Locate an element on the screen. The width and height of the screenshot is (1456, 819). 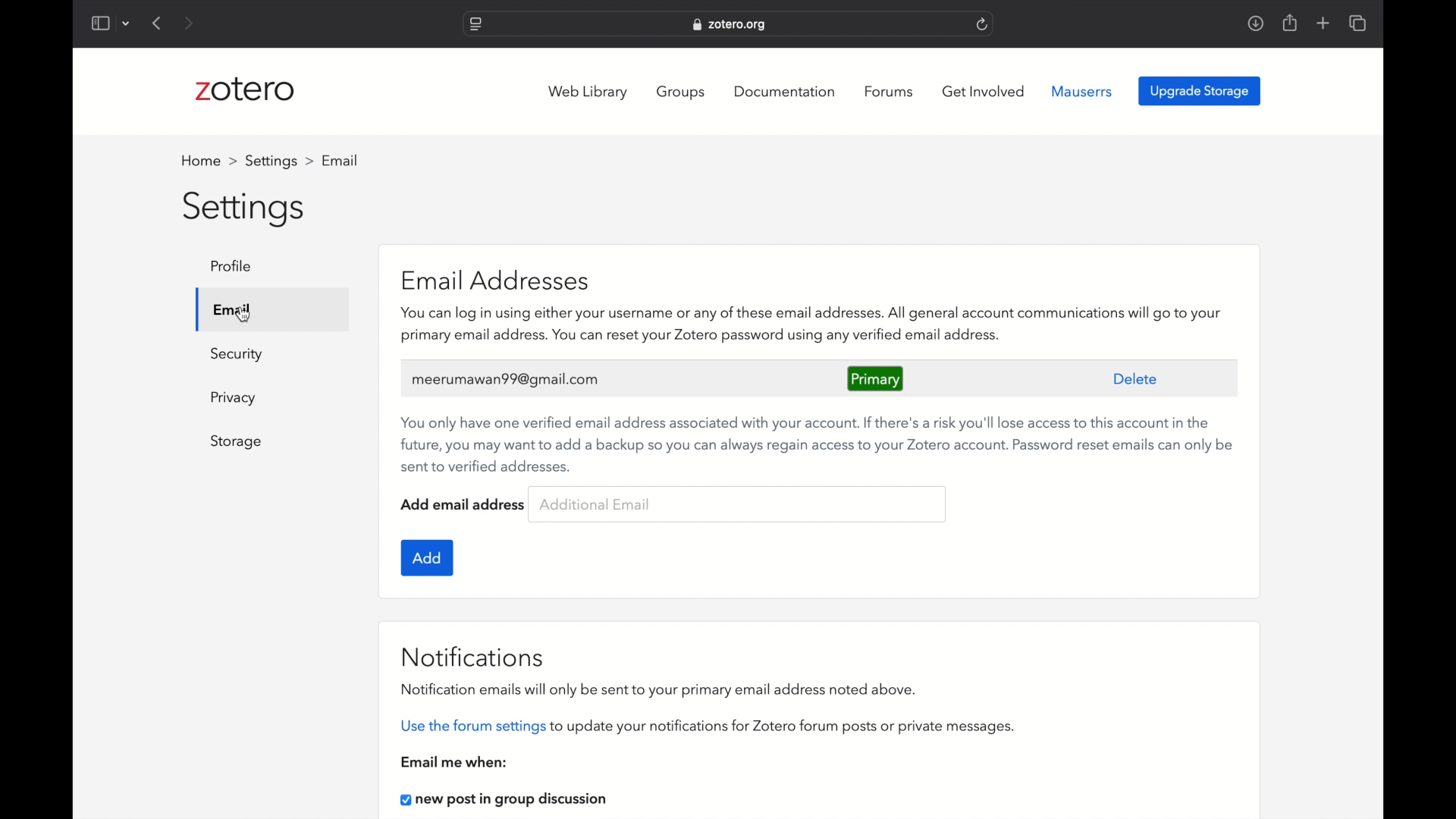
add is located at coordinates (428, 557).